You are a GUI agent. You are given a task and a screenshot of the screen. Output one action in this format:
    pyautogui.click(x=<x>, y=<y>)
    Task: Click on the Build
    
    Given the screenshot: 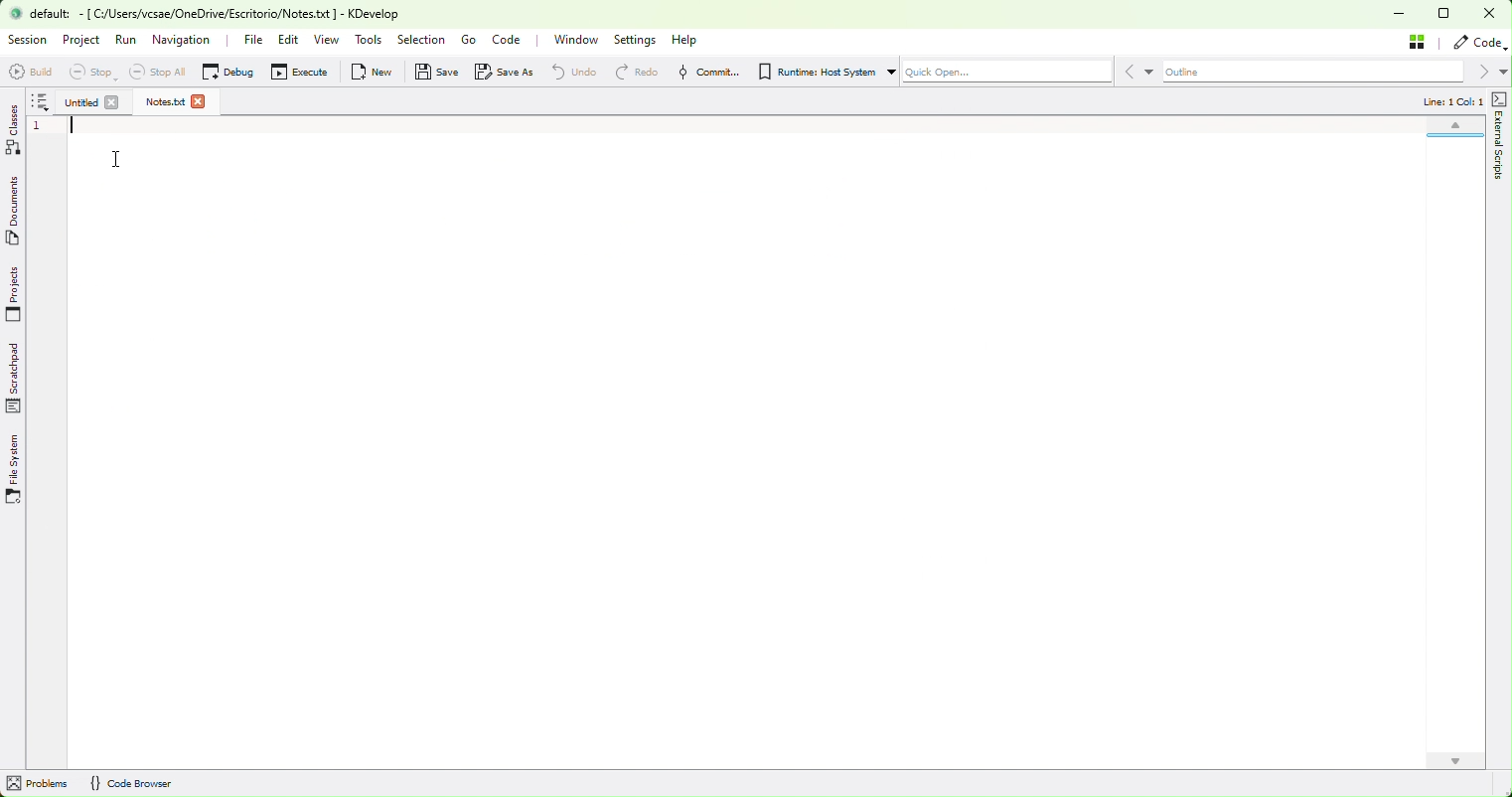 What is the action you would take?
    pyautogui.click(x=31, y=72)
    